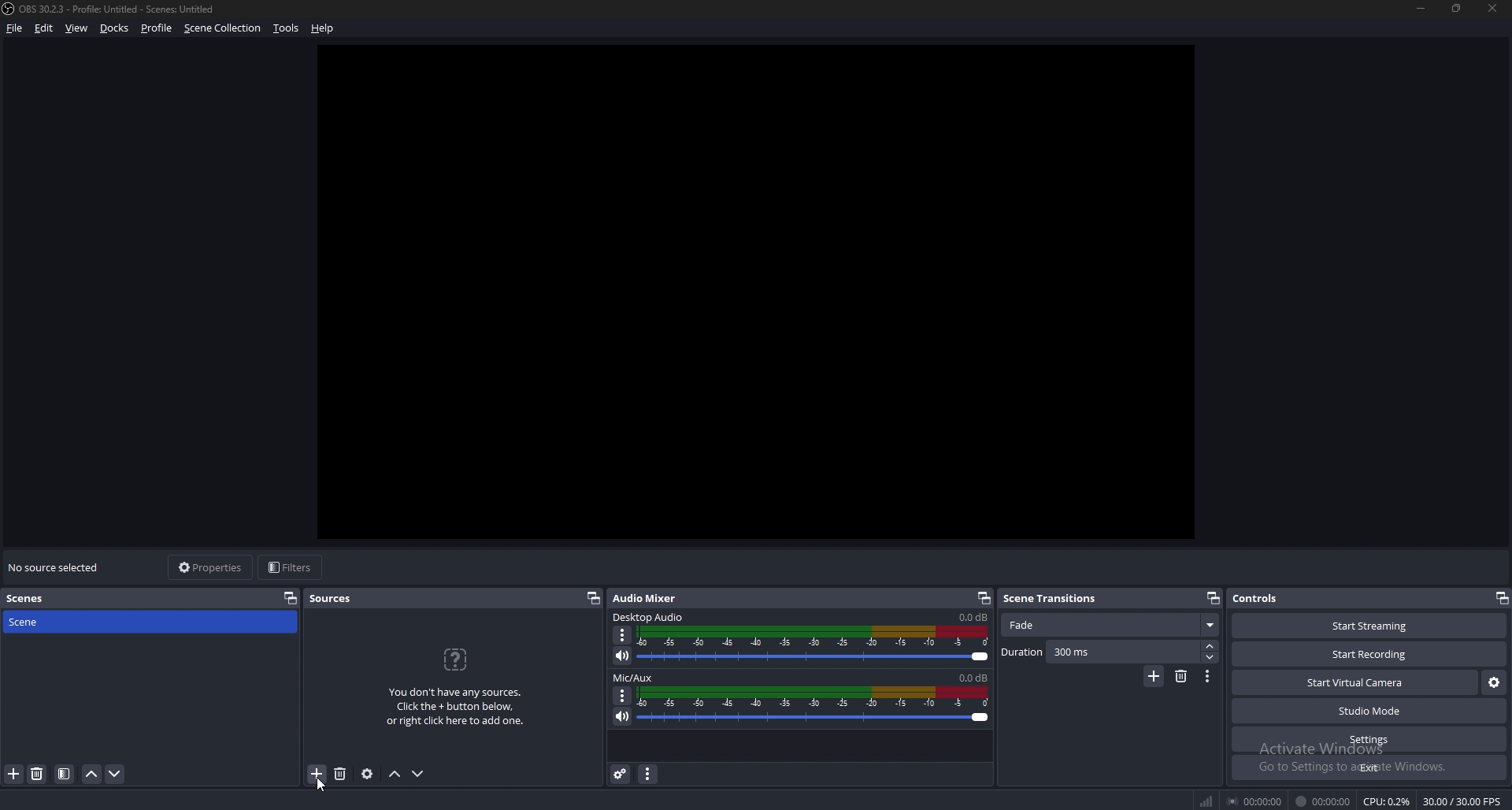  What do you see at coordinates (46, 28) in the screenshot?
I see `Edit` at bounding box center [46, 28].